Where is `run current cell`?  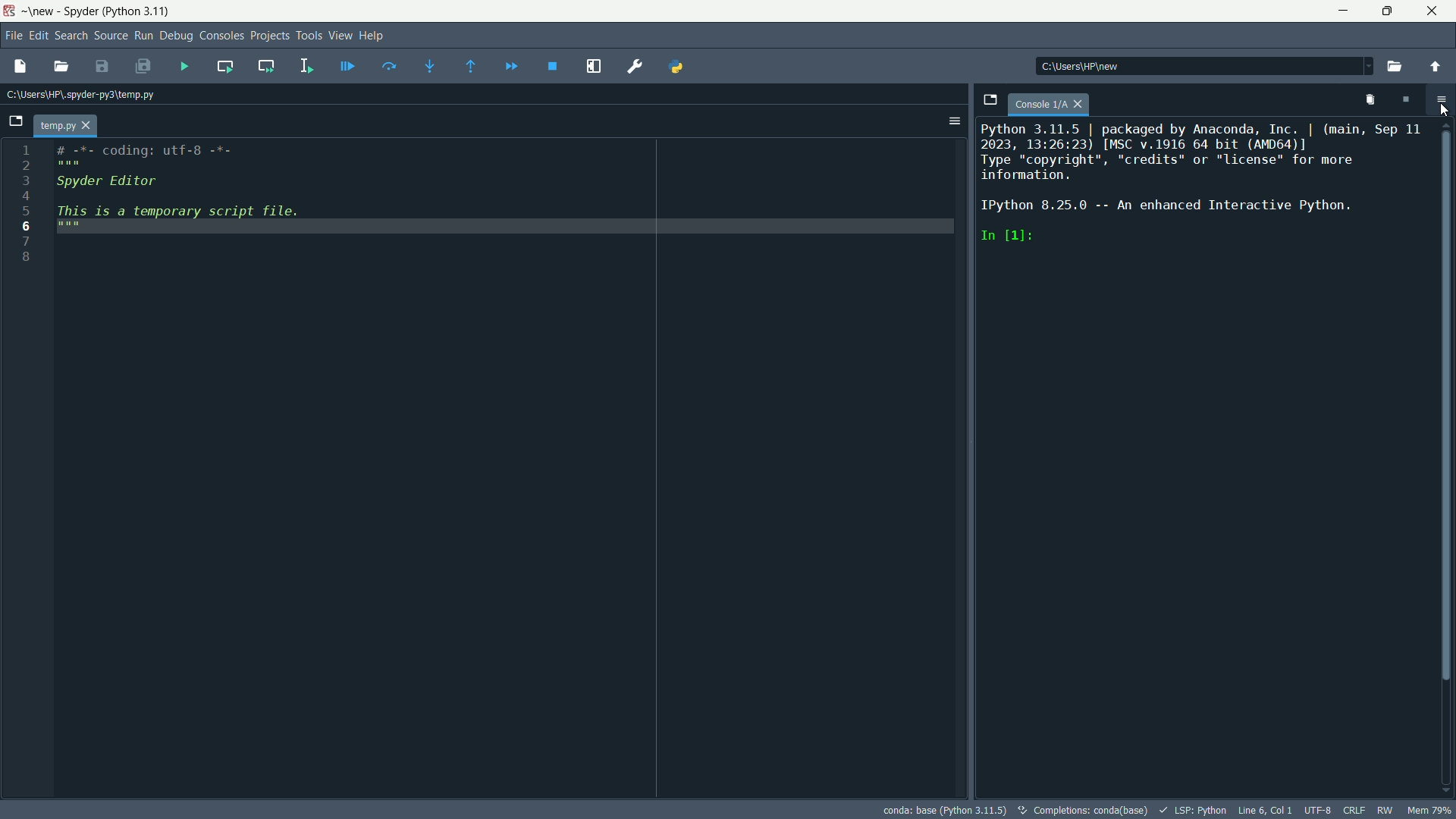 run current cell is located at coordinates (224, 66).